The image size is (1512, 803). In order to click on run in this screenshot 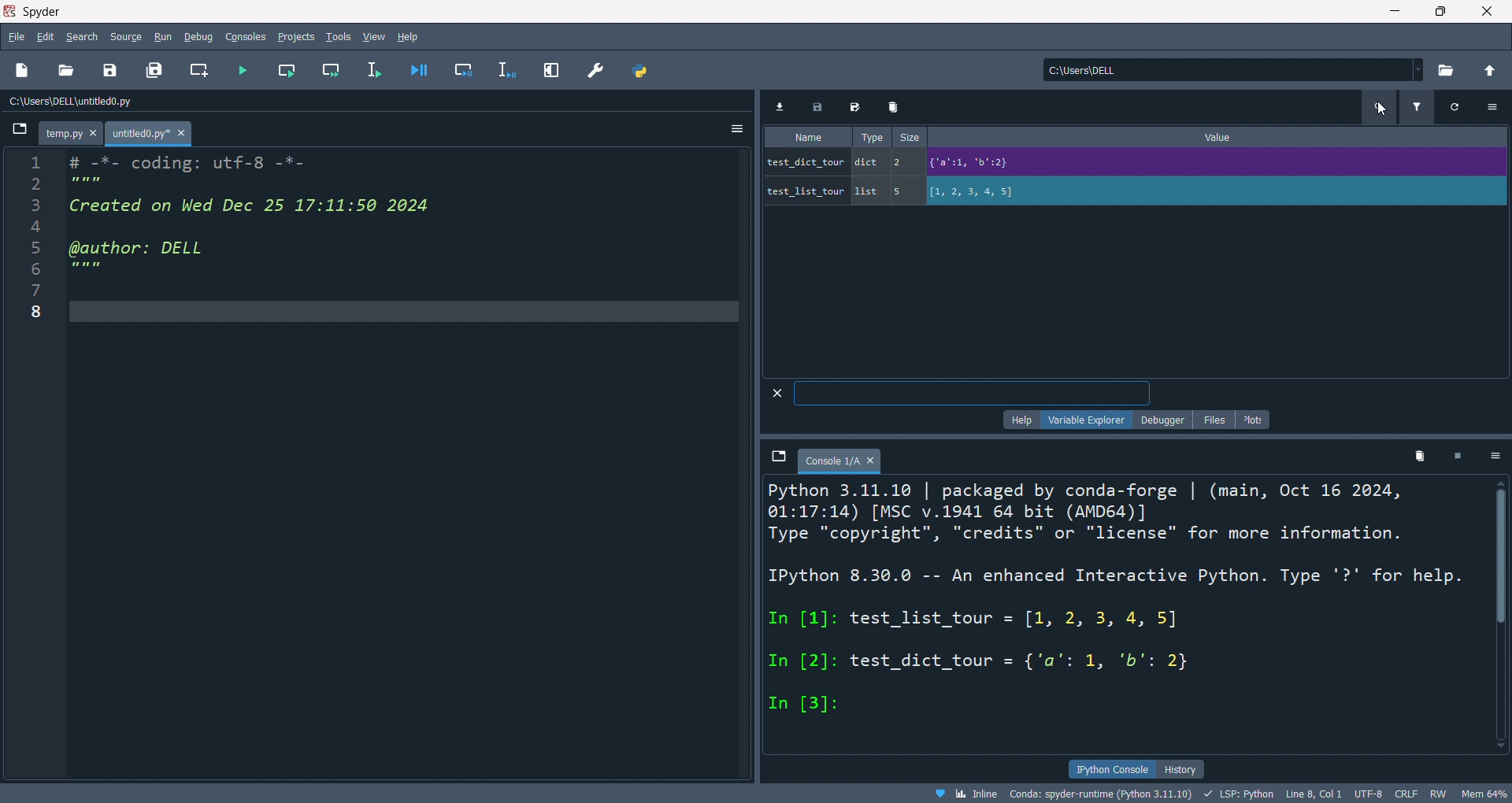, I will do `click(164, 35)`.